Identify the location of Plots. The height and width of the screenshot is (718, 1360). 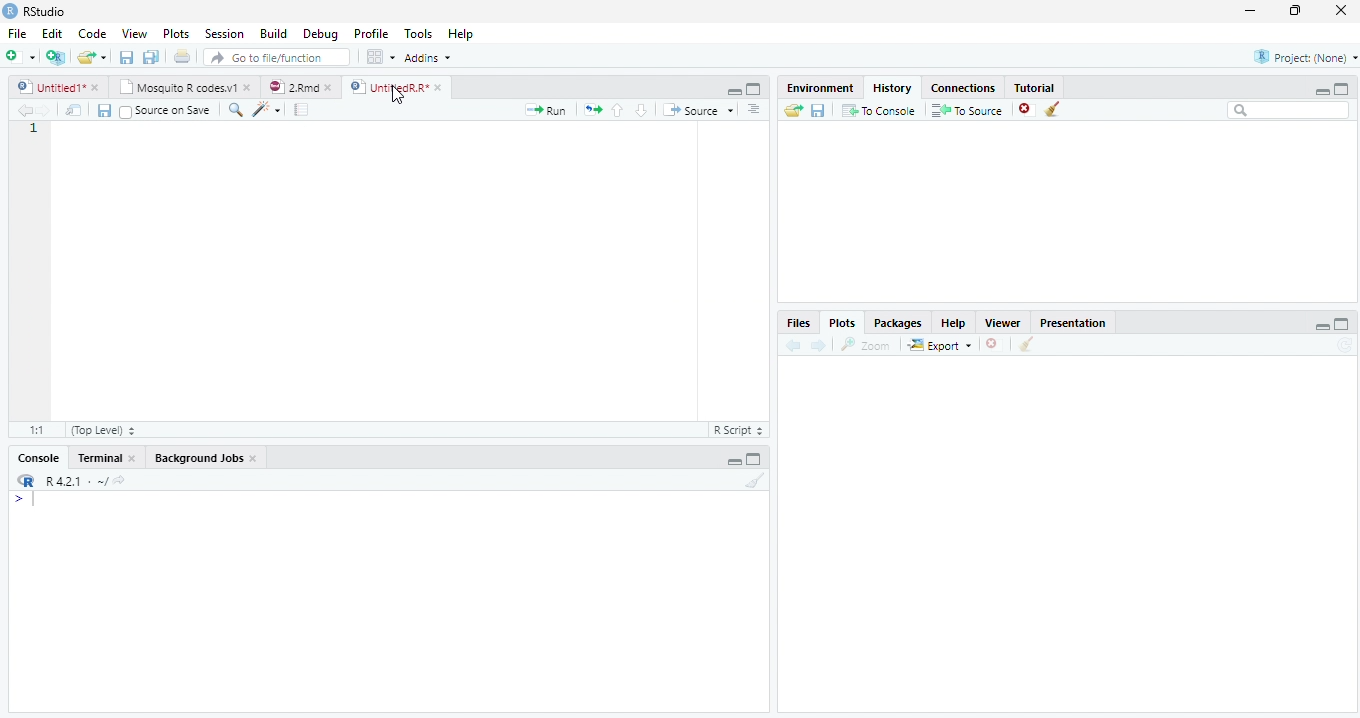
(177, 35).